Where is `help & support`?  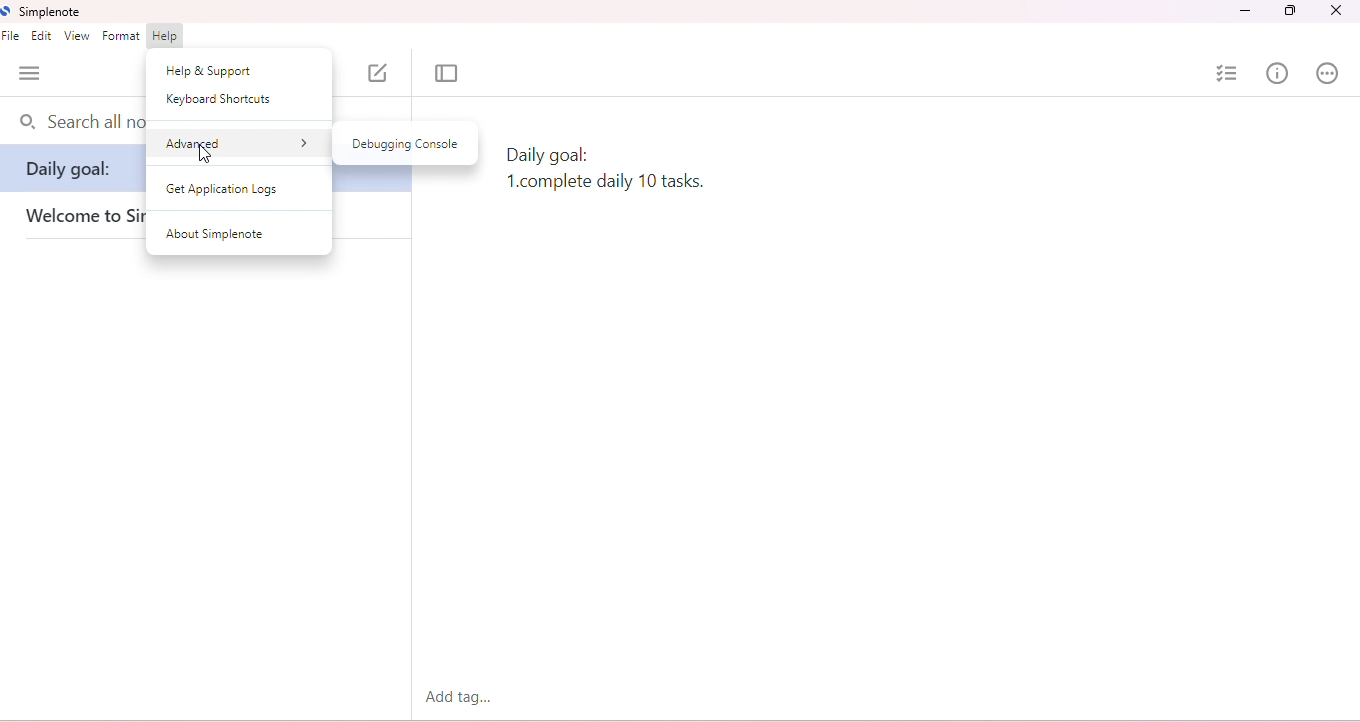
help & support is located at coordinates (211, 69).